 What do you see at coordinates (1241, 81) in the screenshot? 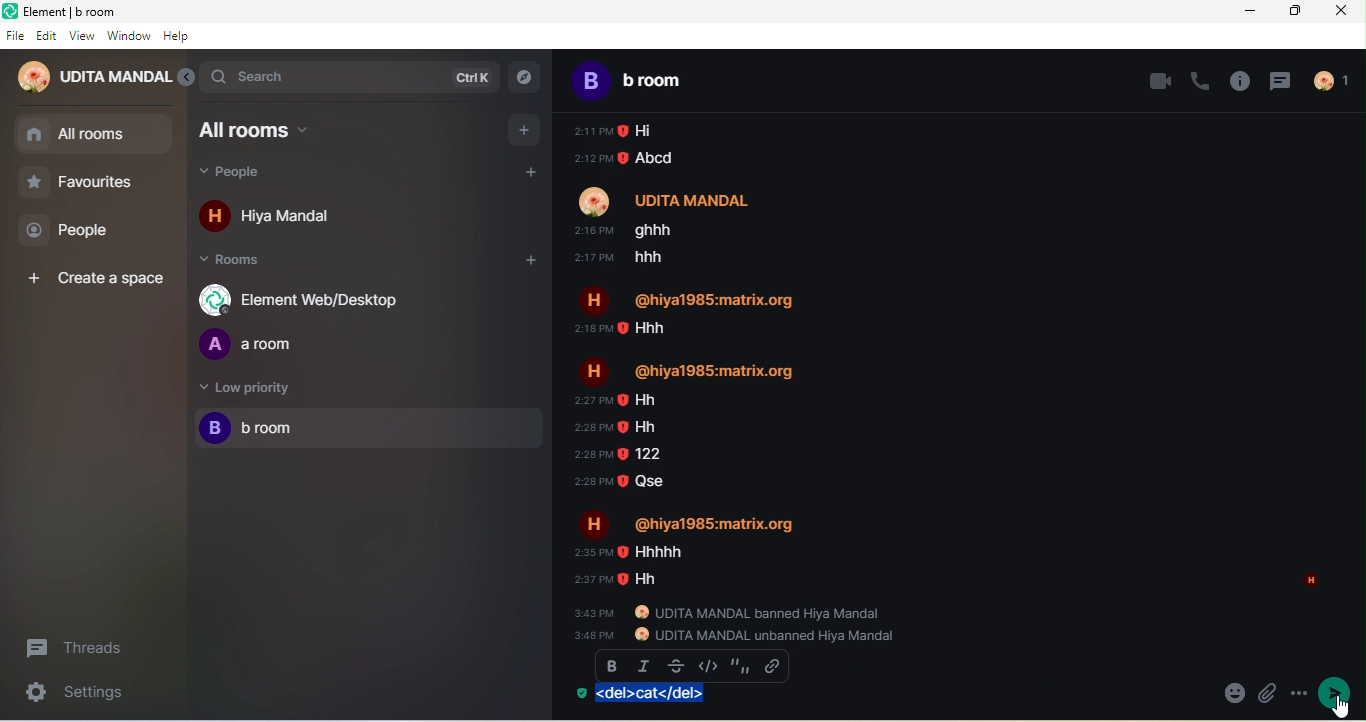
I see `room info` at bounding box center [1241, 81].